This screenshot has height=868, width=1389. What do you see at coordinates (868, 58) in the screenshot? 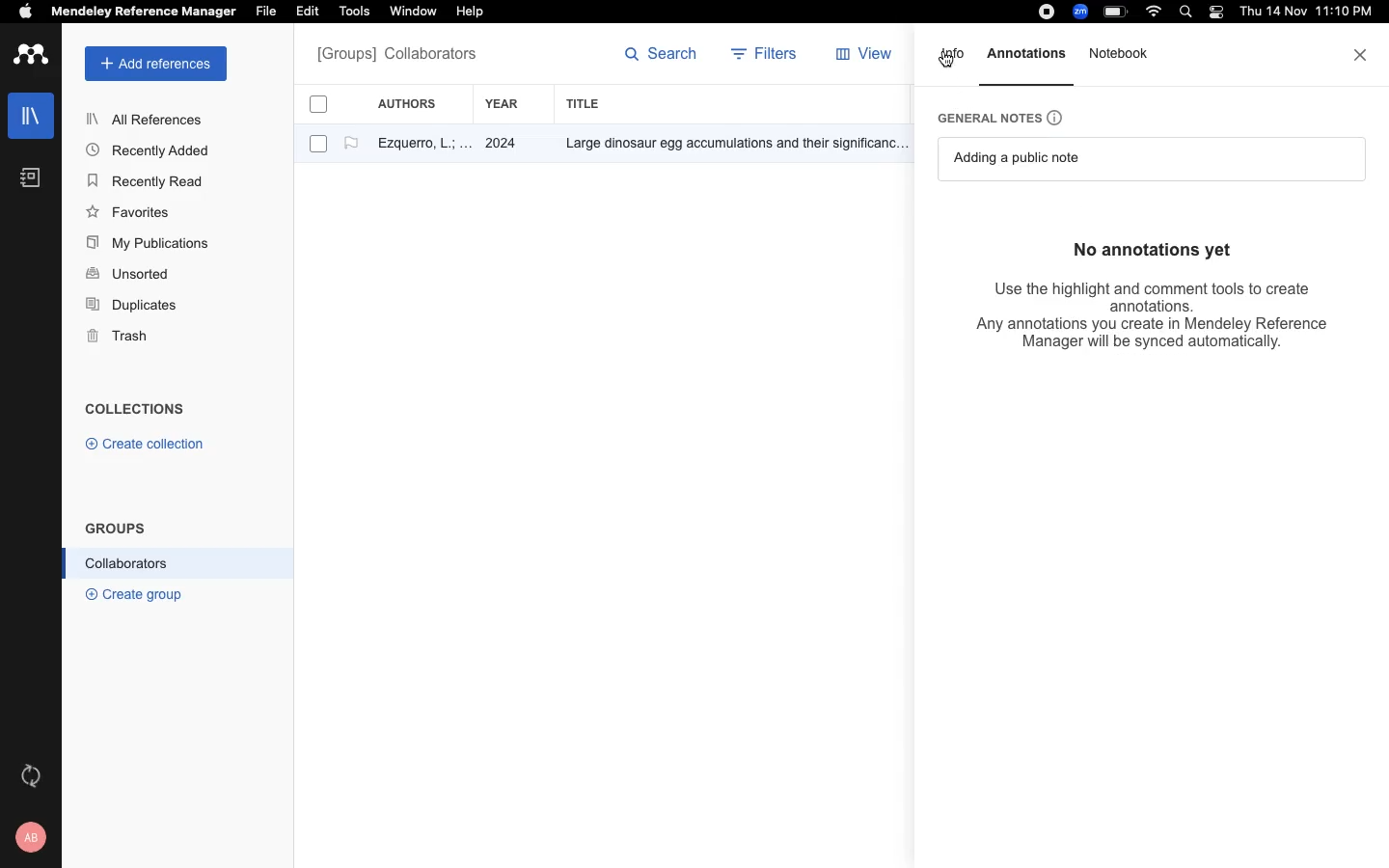
I see `view` at bounding box center [868, 58].